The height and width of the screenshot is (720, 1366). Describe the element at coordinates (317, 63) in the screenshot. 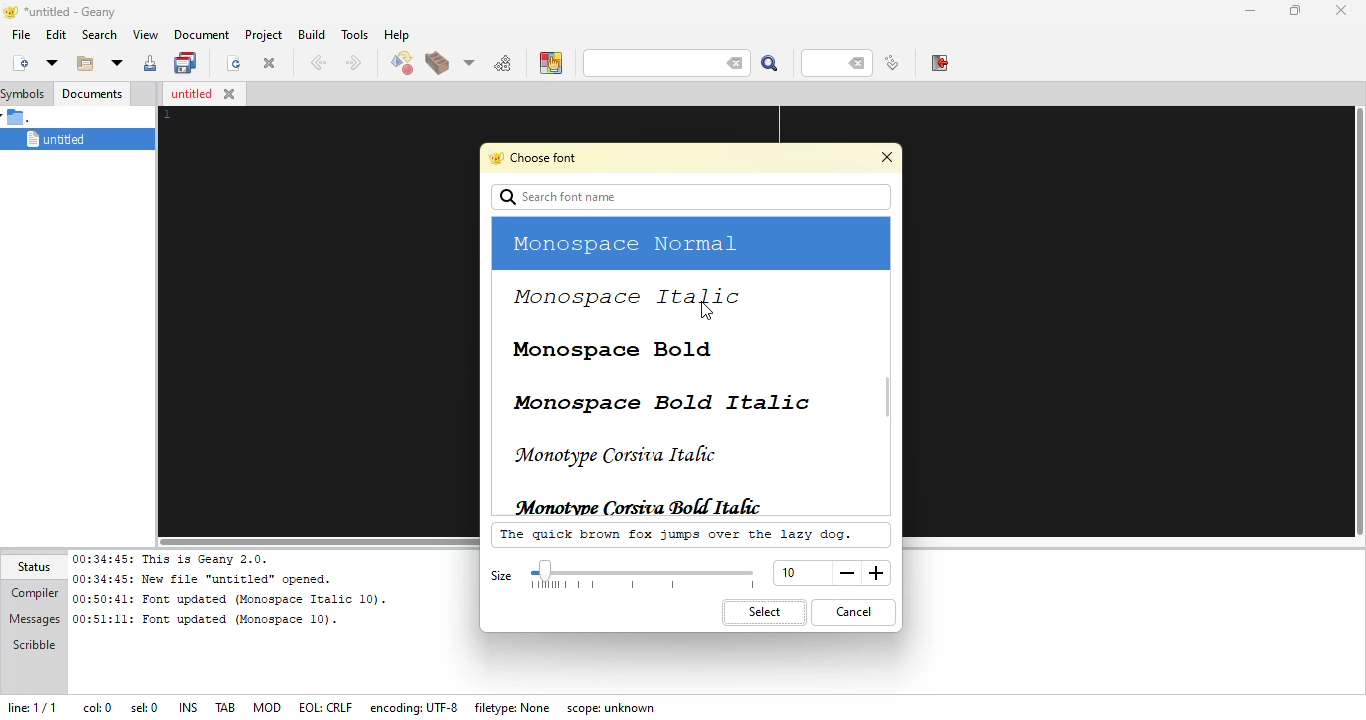

I see `back` at that location.